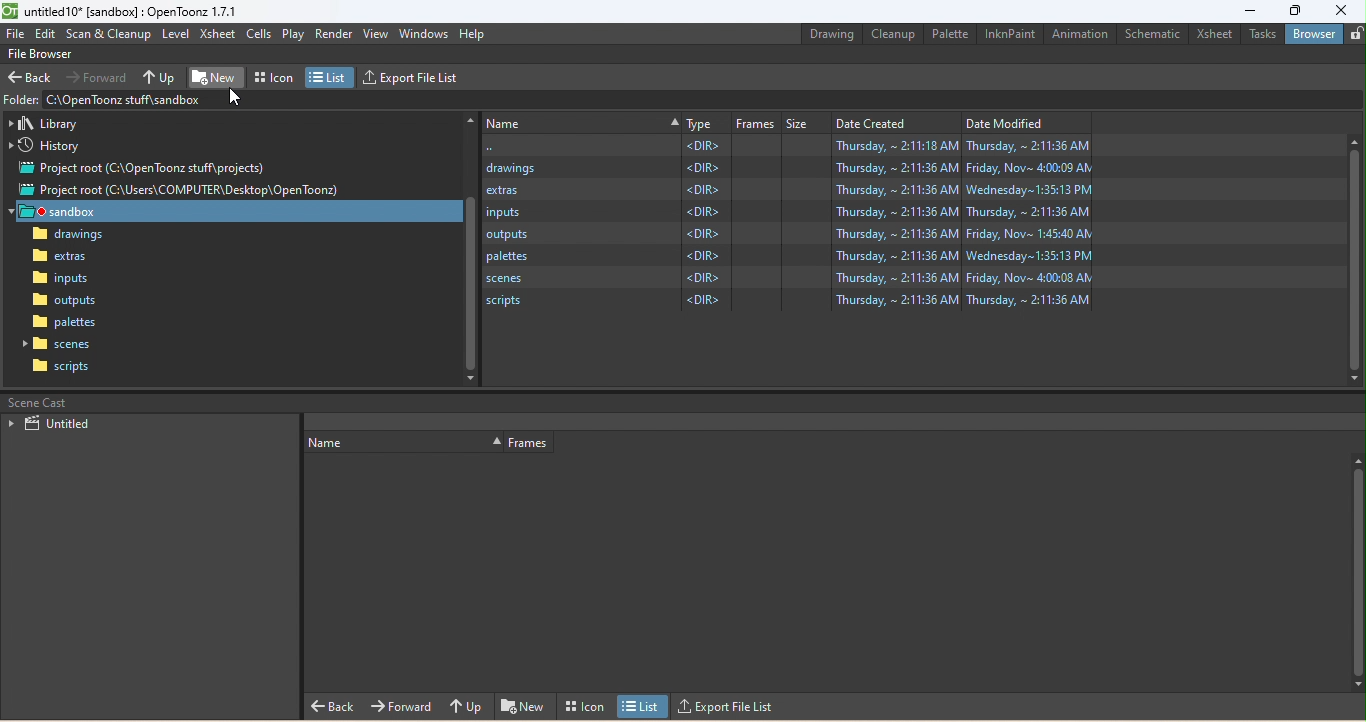  What do you see at coordinates (894, 123) in the screenshot?
I see `Date created` at bounding box center [894, 123].